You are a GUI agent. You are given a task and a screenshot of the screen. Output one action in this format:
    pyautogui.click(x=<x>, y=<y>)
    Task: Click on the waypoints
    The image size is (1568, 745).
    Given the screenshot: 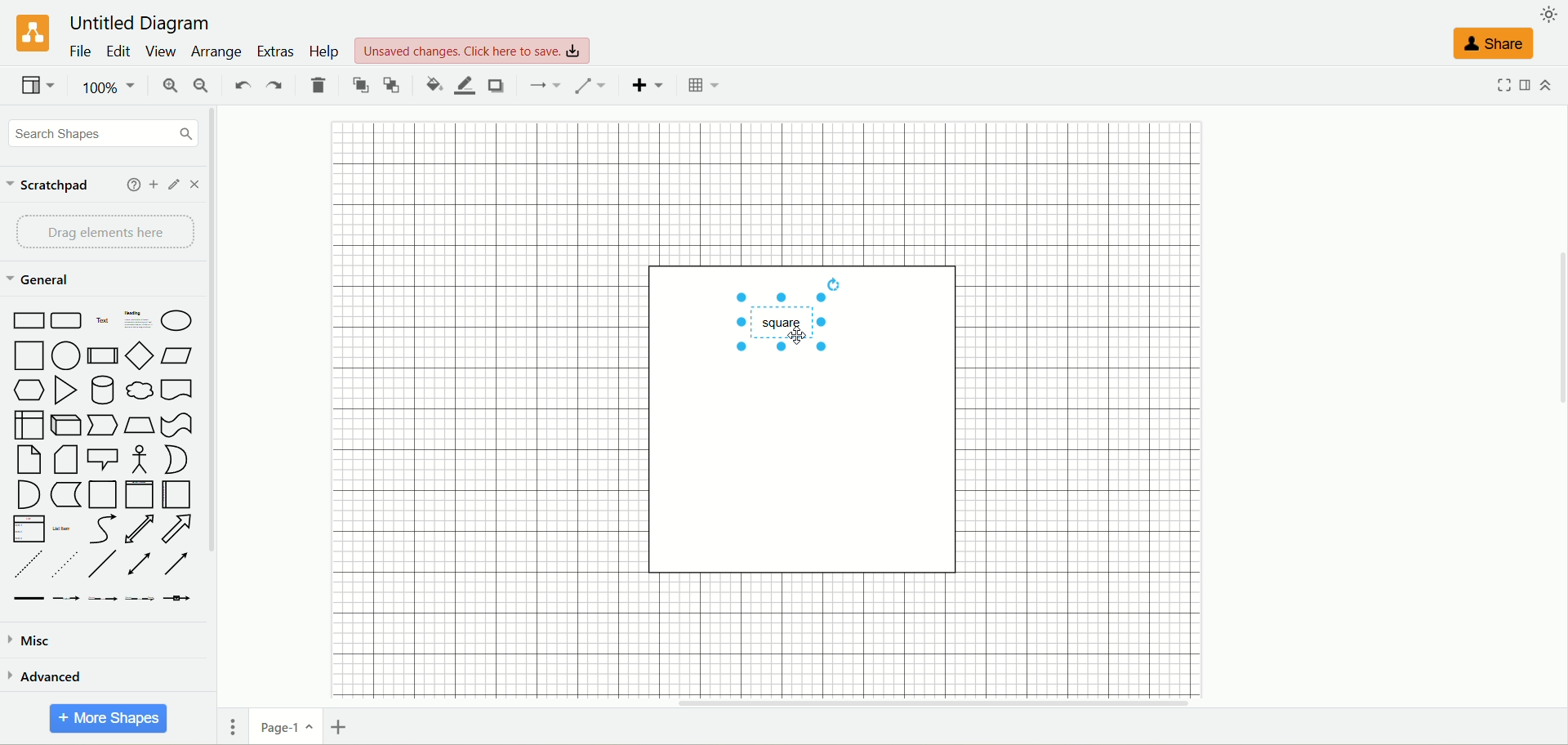 What is the action you would take?
    pyautogui.click(x=596, y=85)
    